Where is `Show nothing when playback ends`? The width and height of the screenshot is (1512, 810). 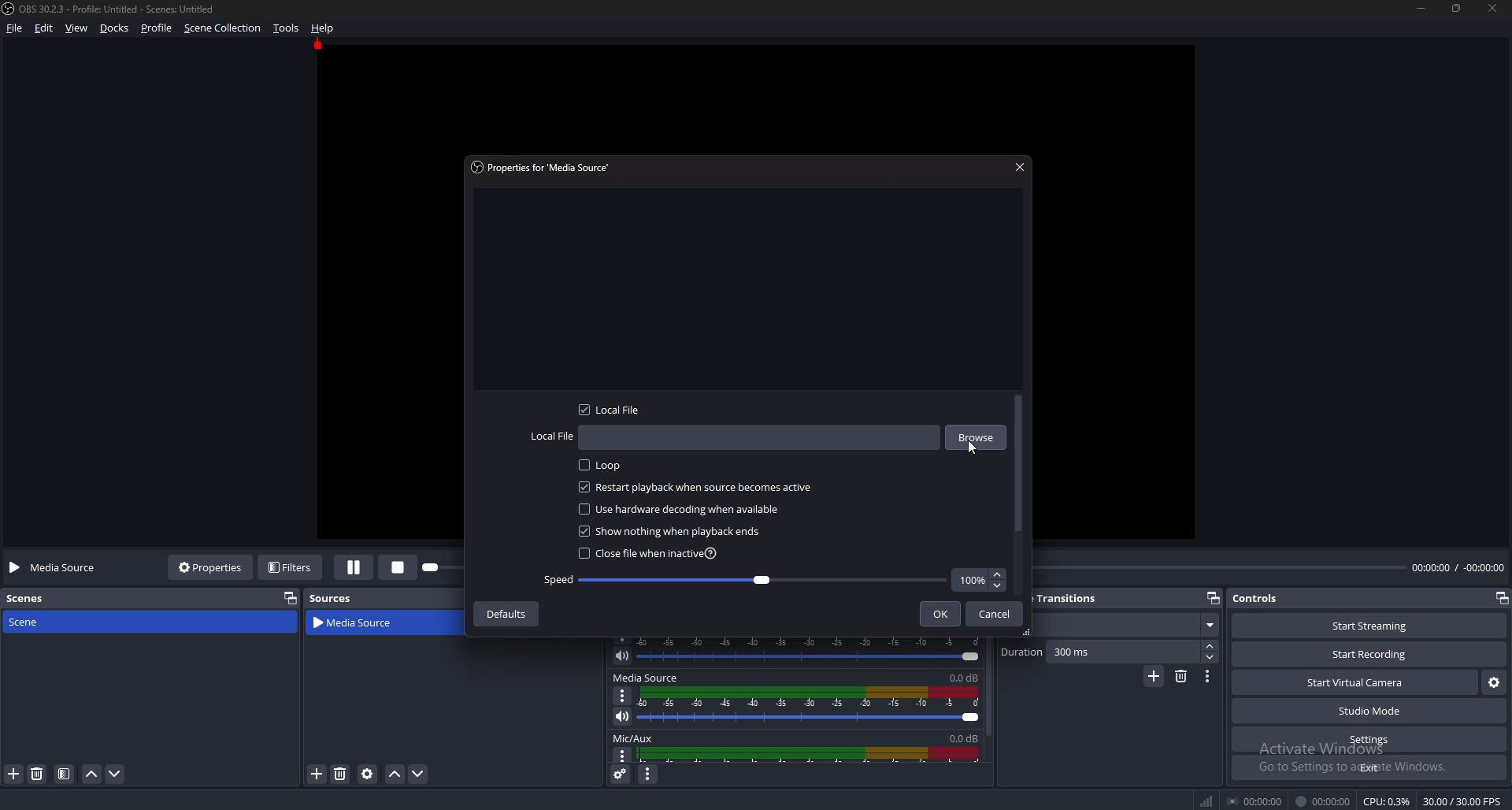
Show nothing when playback ends is located at coordinates (675, 531).